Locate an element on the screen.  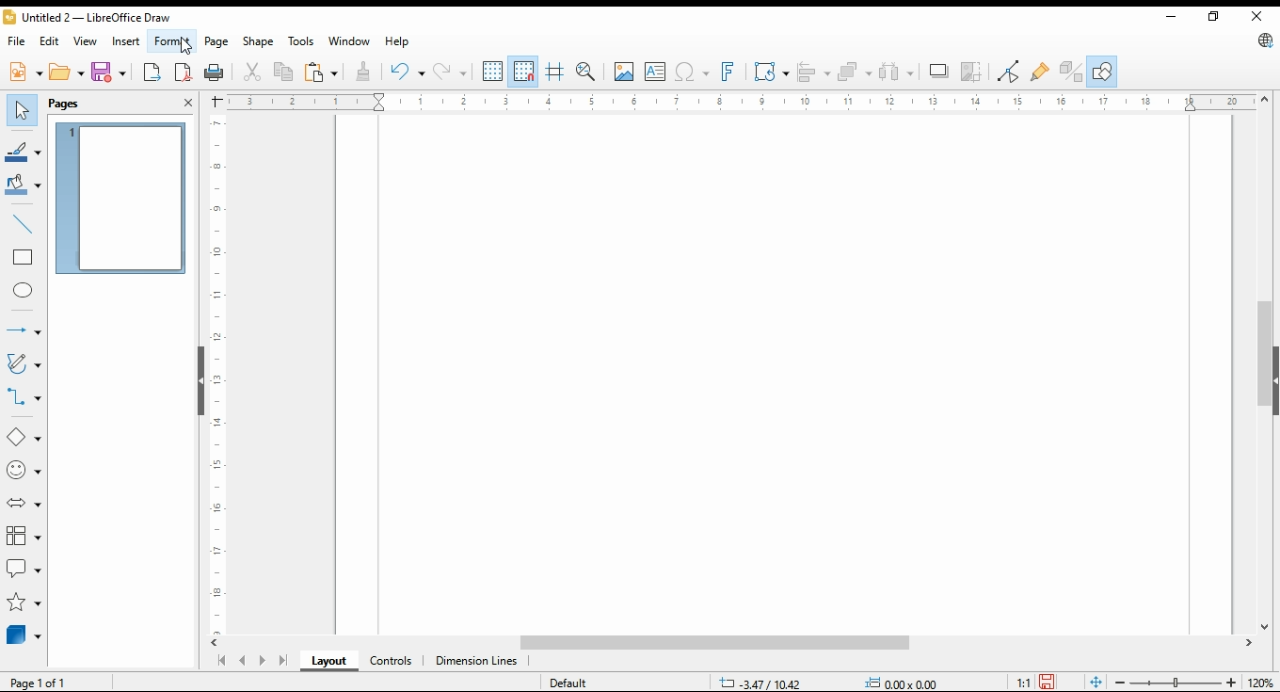
1:1 is located at coordinates (1023, 681).